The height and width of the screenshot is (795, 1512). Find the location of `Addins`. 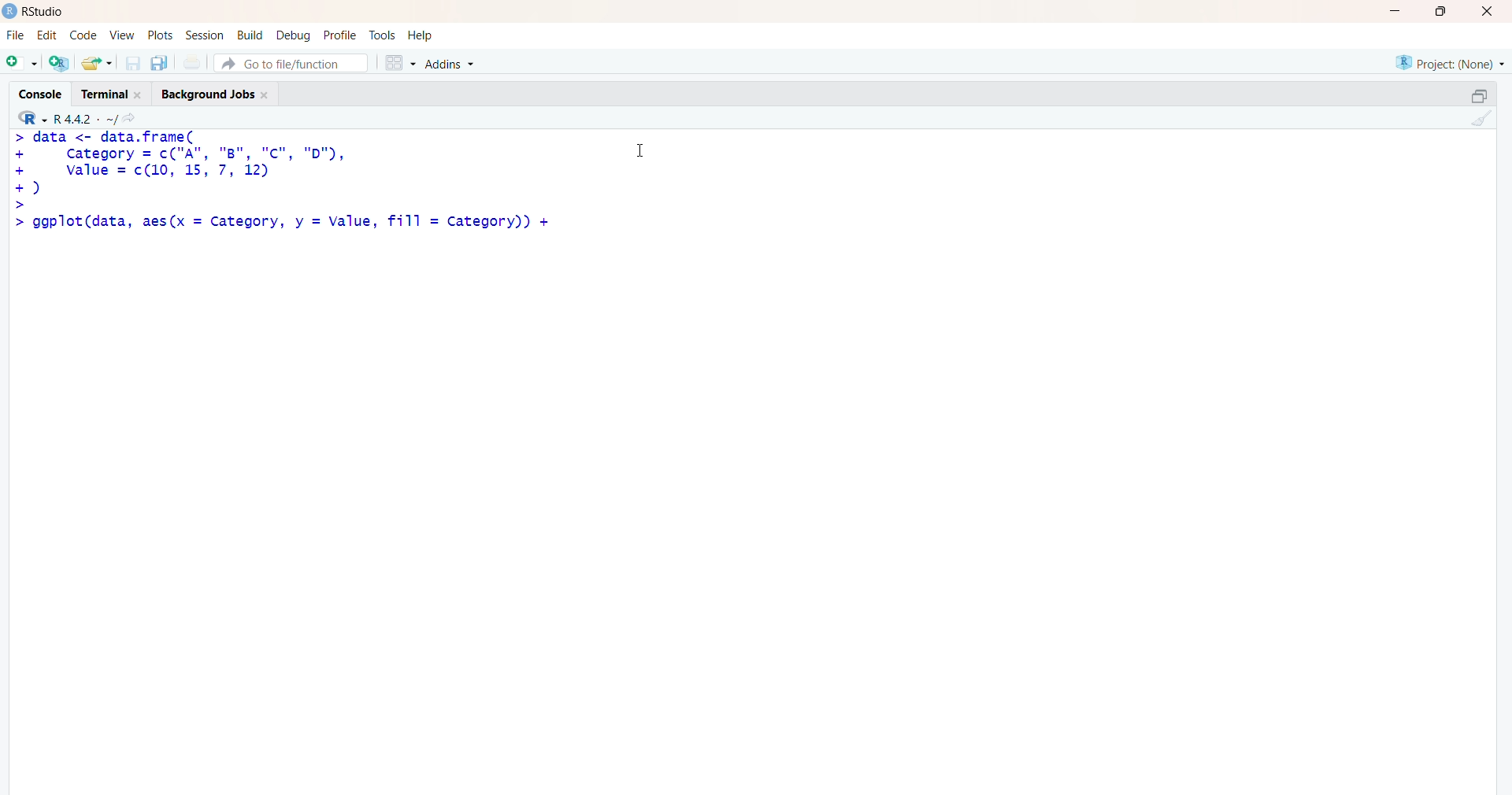

Addins is located at coordinates (453, 65).